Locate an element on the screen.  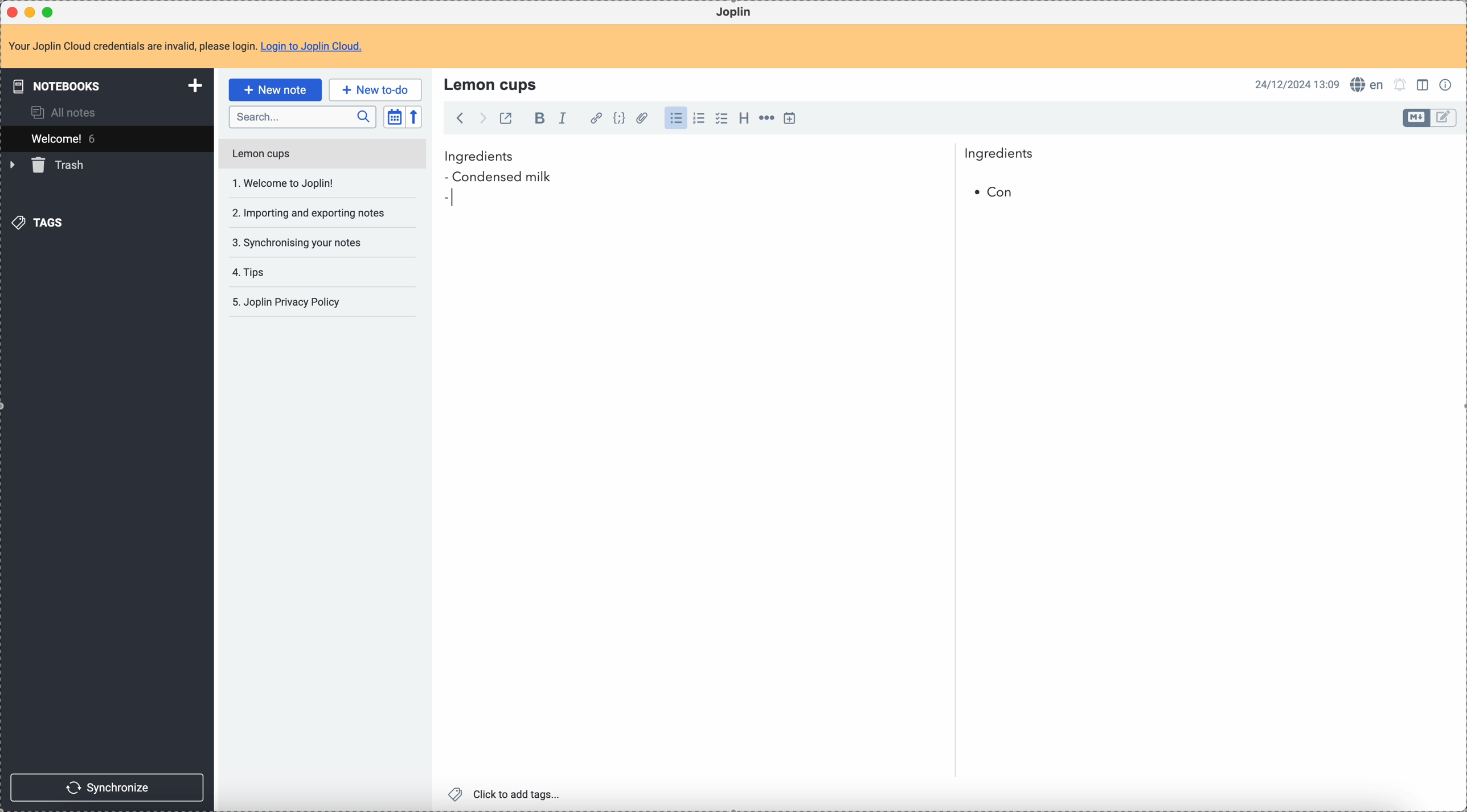
click to add tags is located at coordinates (507, 793).